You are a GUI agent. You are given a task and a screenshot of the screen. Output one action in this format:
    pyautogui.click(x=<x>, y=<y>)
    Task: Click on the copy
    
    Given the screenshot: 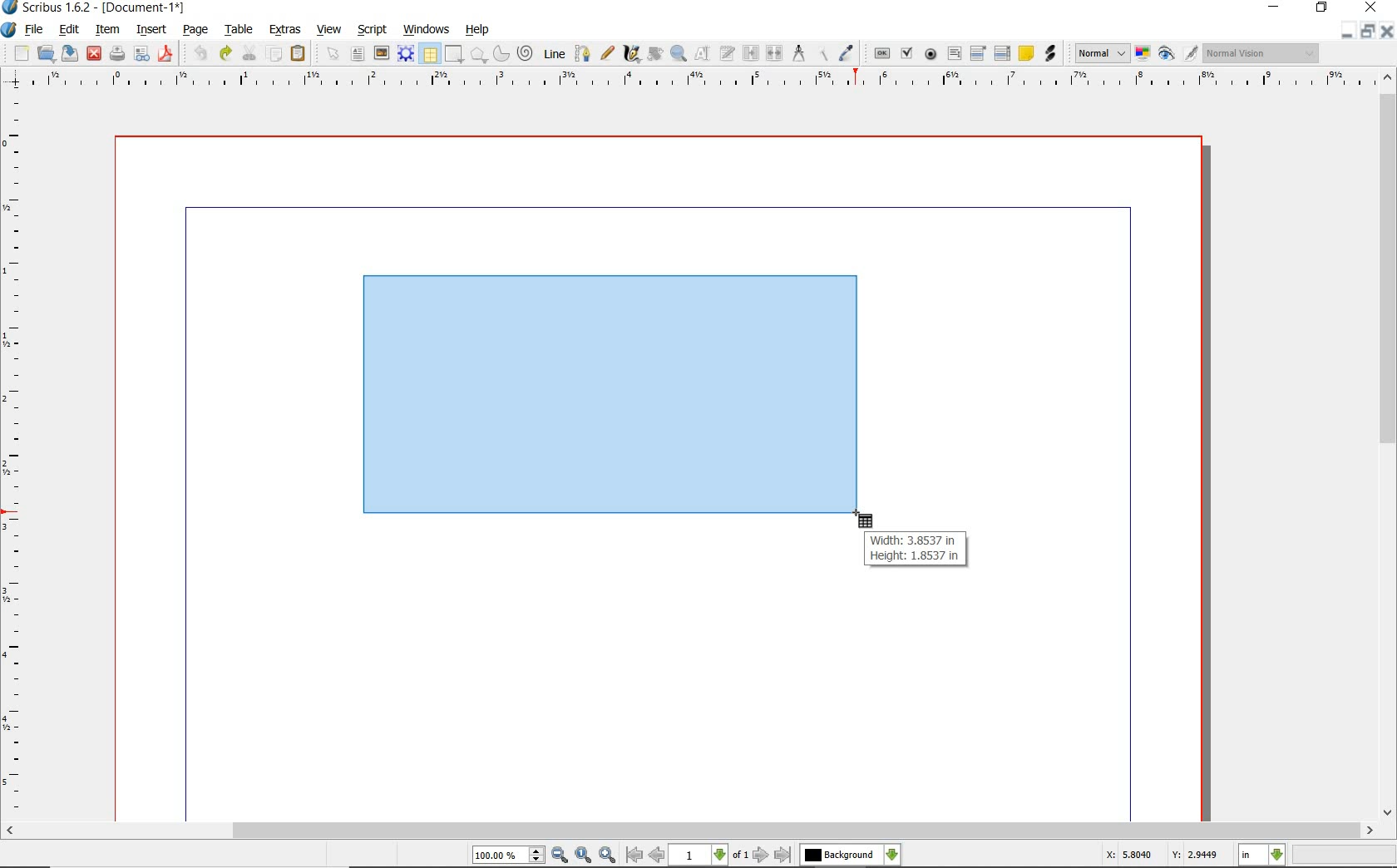 What is the action you would take?
    pyautogui.click(x=275, y=55)
    